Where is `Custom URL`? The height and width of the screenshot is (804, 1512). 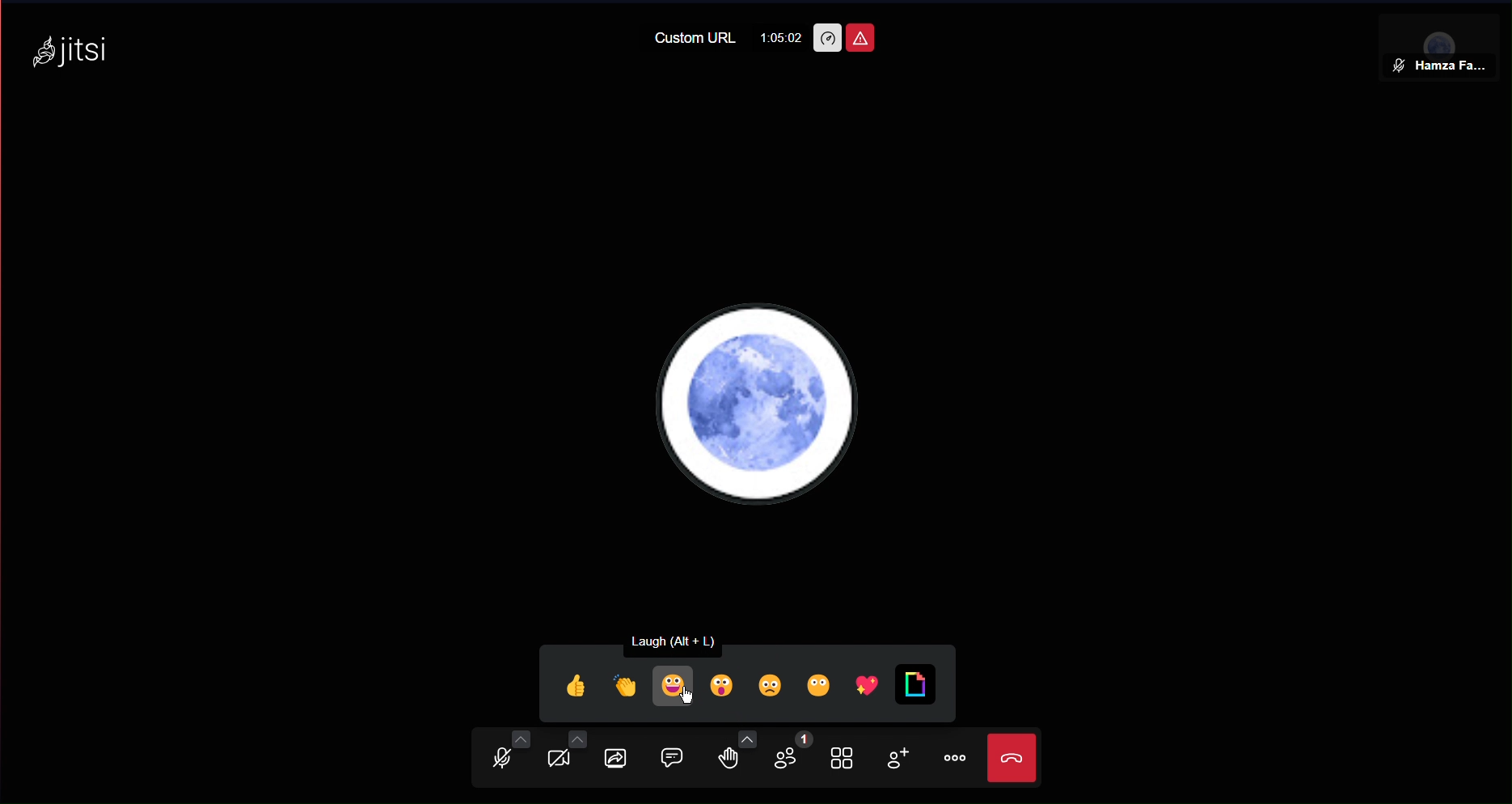 Custom URL is located at coordinates (696, 38).